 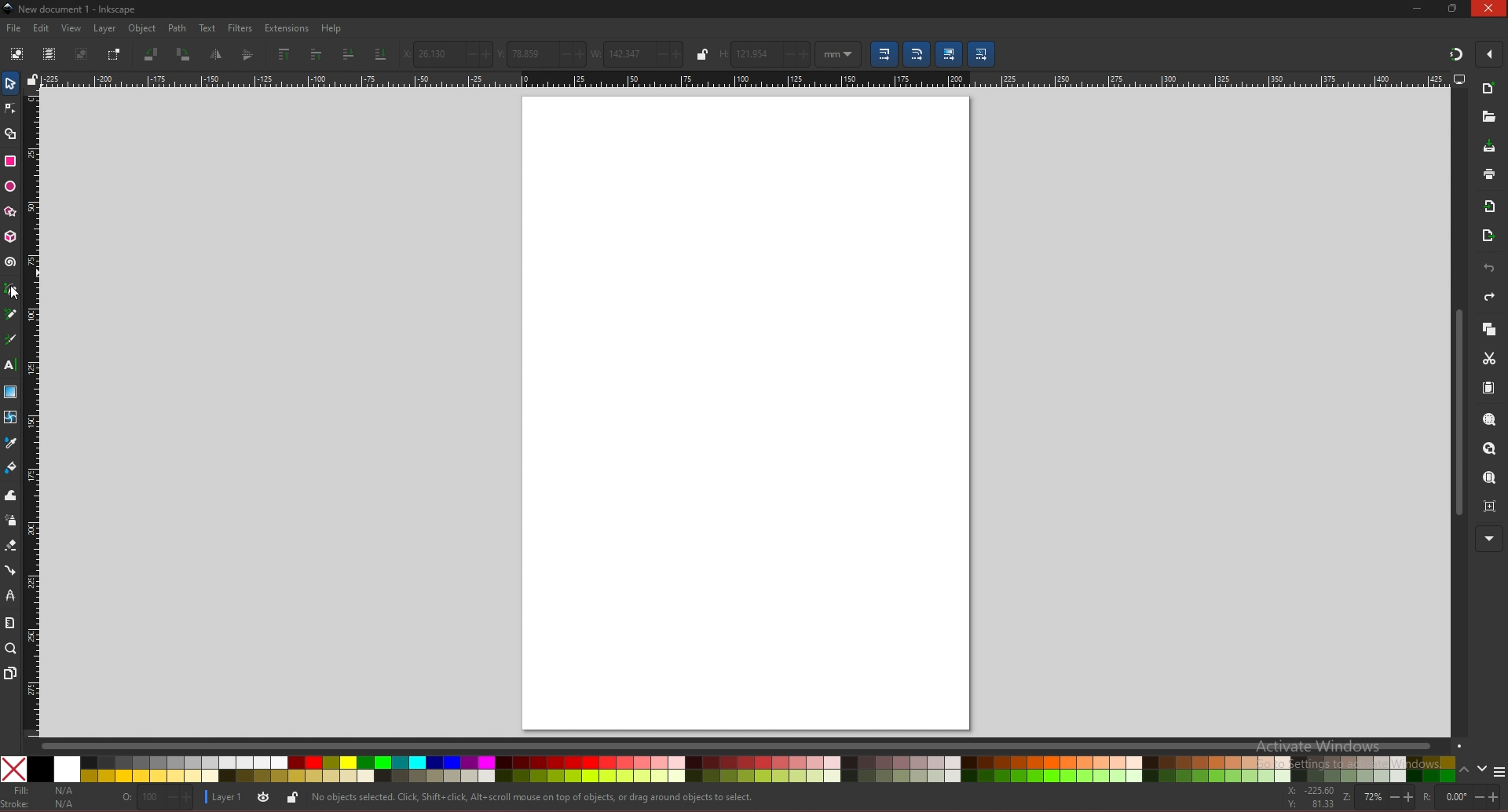 I want to click on horizontal rule, so click(x=745, y=79).